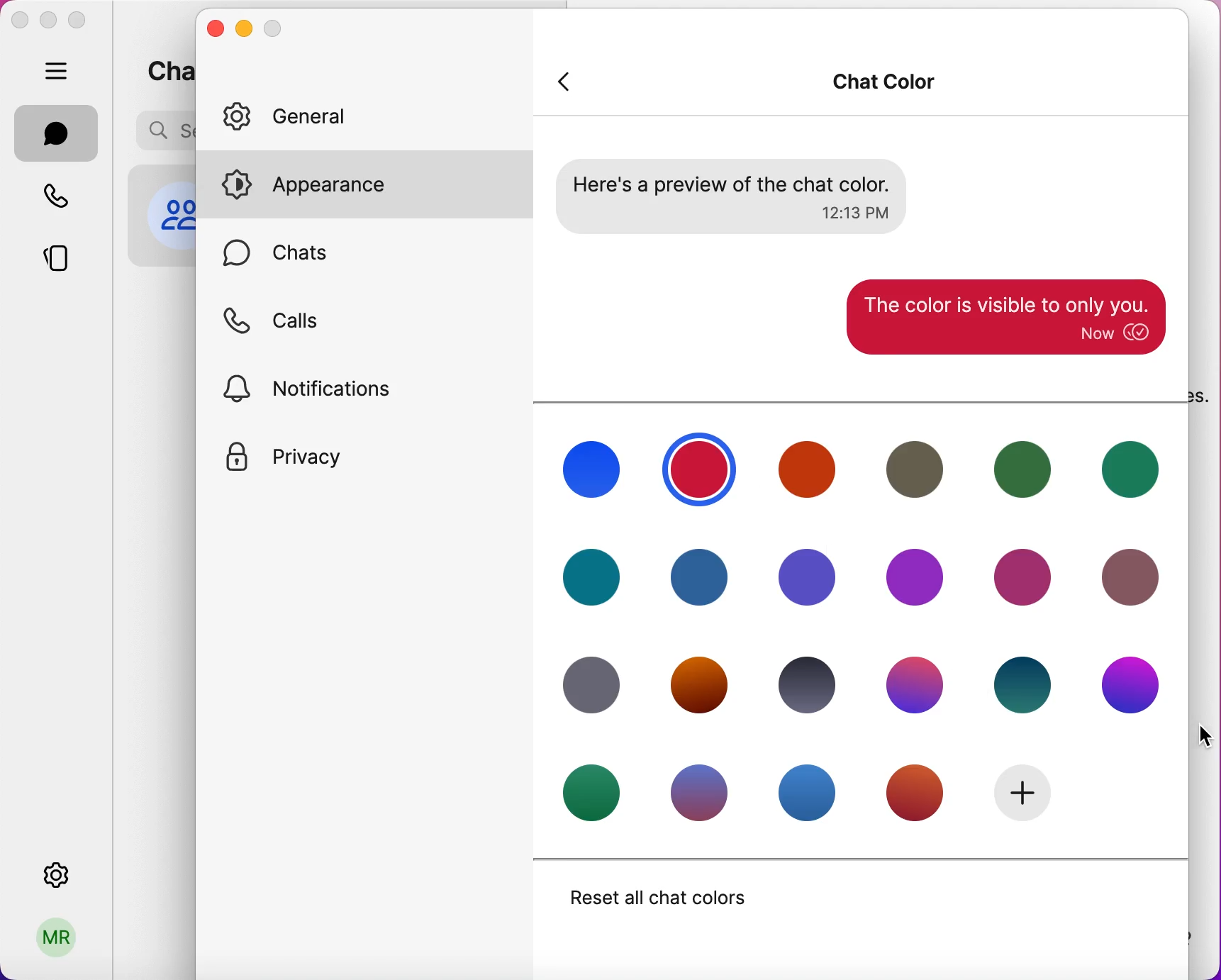  Describe the element at coordinates (647, 905) in the screenshot. I see `reset all chat colors` at that location.